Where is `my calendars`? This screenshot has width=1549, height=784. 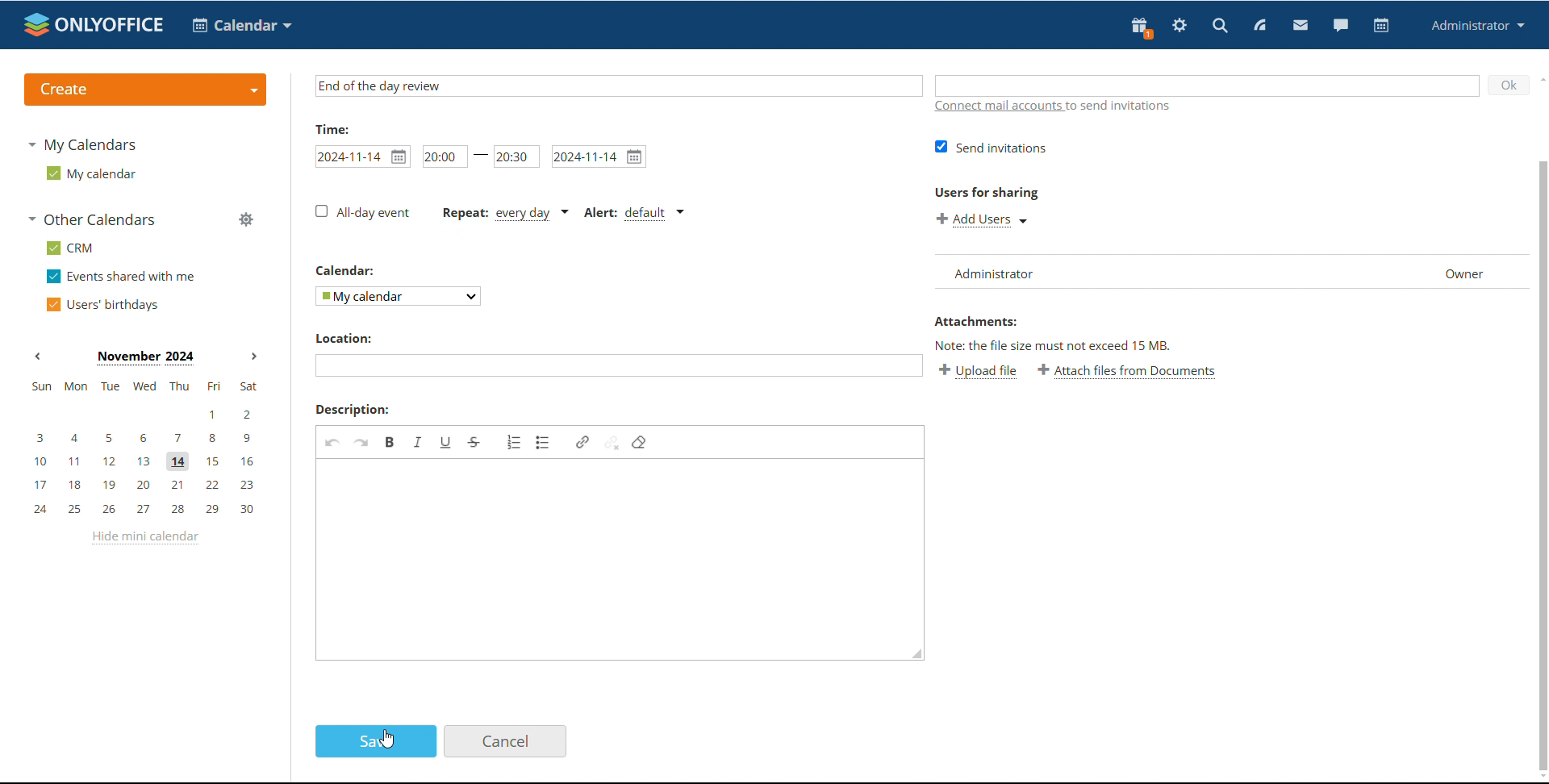
my calendars is located at coordinates (81, 144).